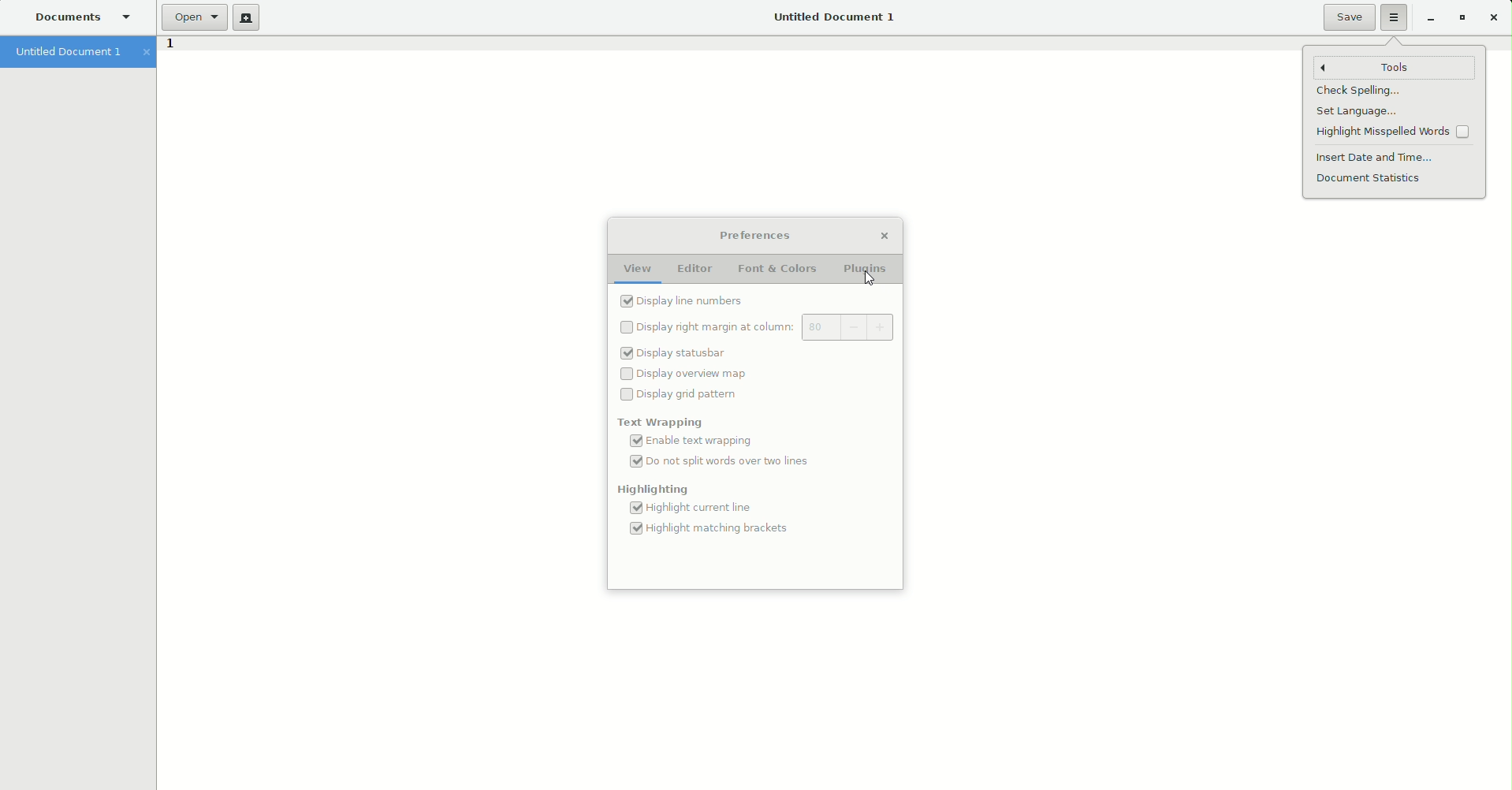 This screenshot has width=1512, height=790. Describe the element at coordinates (673, 354) in the screenshot. I see `display Statusbar` at that location.